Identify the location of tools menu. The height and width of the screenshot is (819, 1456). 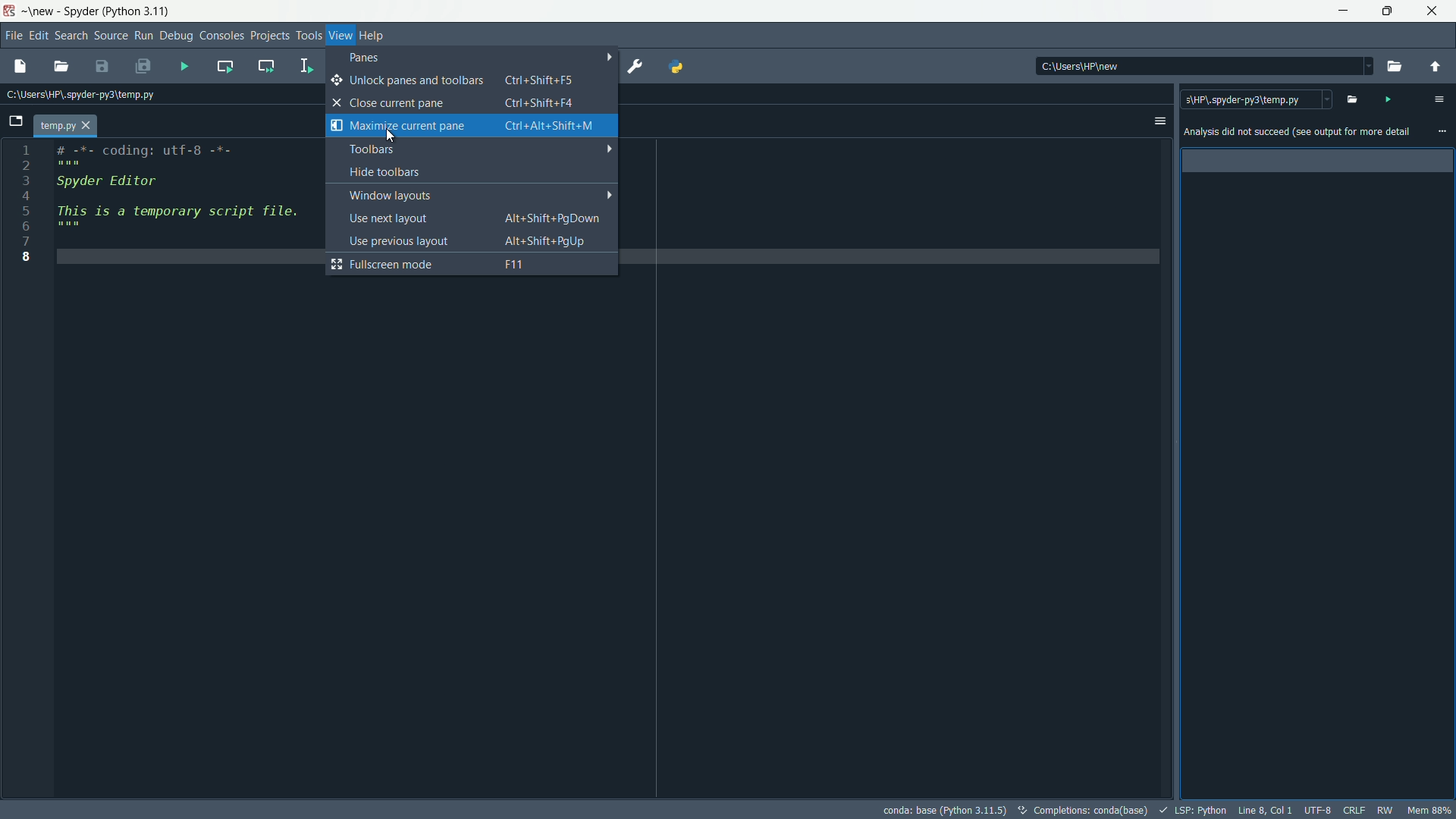
(309, 37).